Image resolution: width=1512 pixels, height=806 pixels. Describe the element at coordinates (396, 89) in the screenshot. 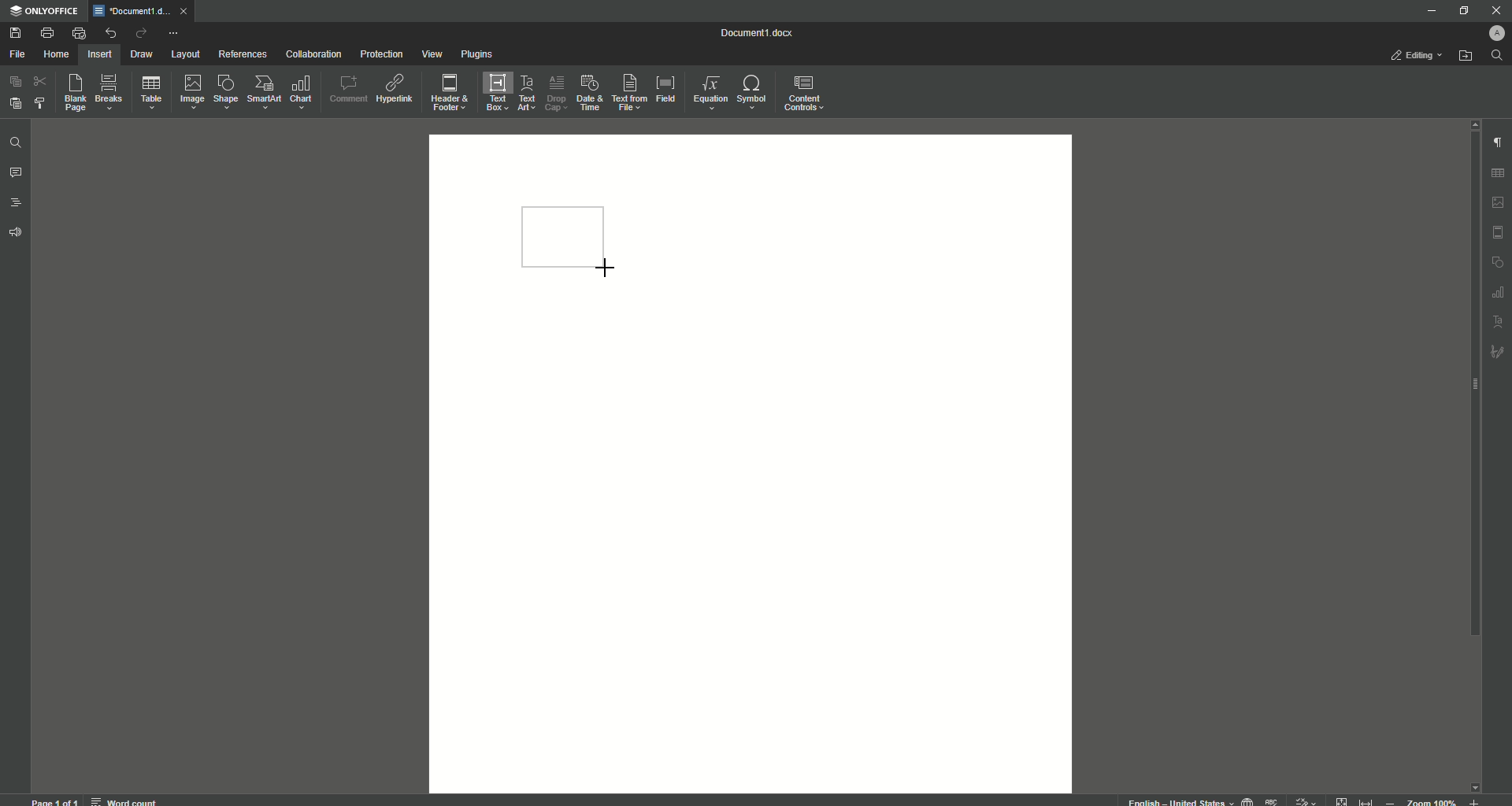

I see `Hyperlink` at that location.